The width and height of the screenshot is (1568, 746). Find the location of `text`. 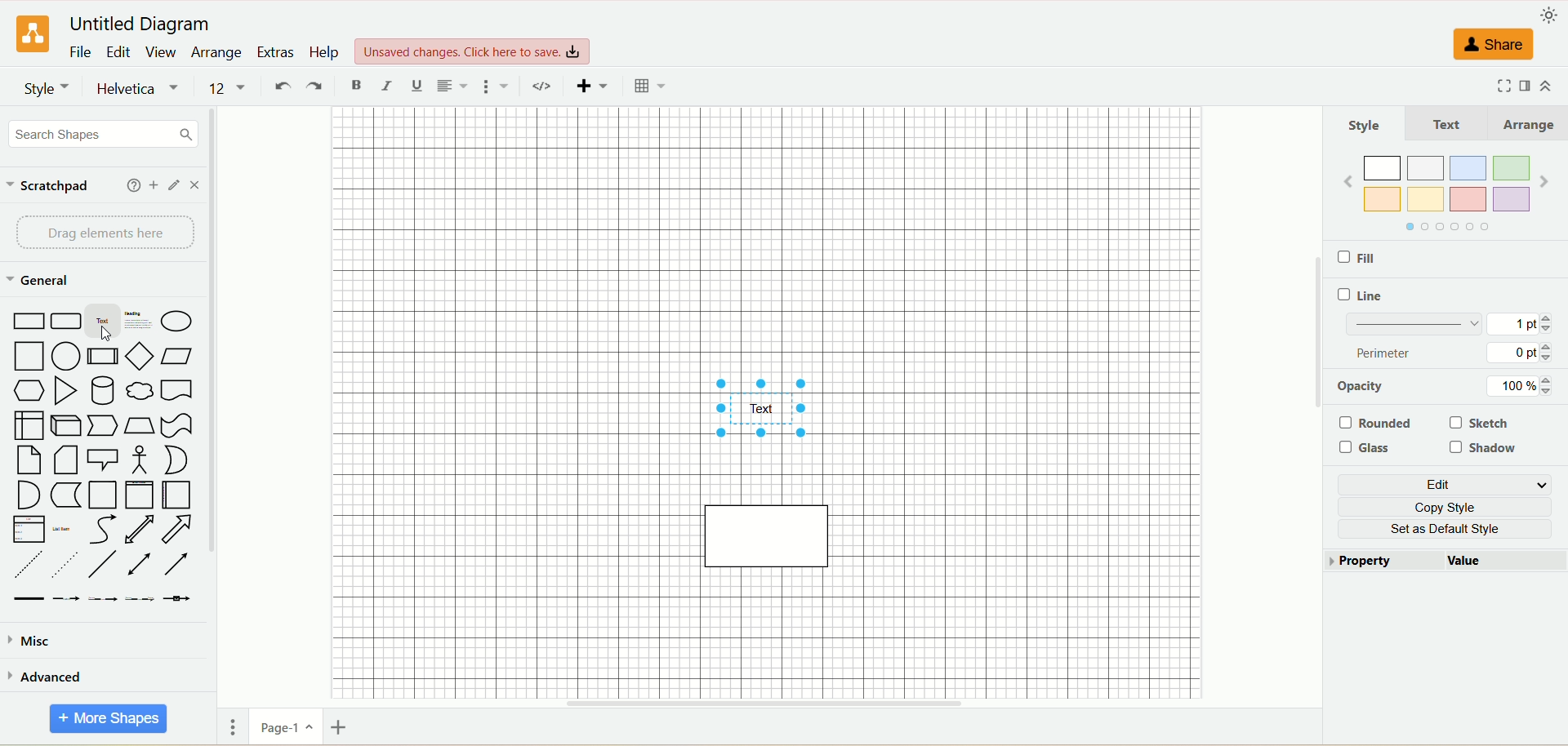

text is located at coordinates (474, 48).